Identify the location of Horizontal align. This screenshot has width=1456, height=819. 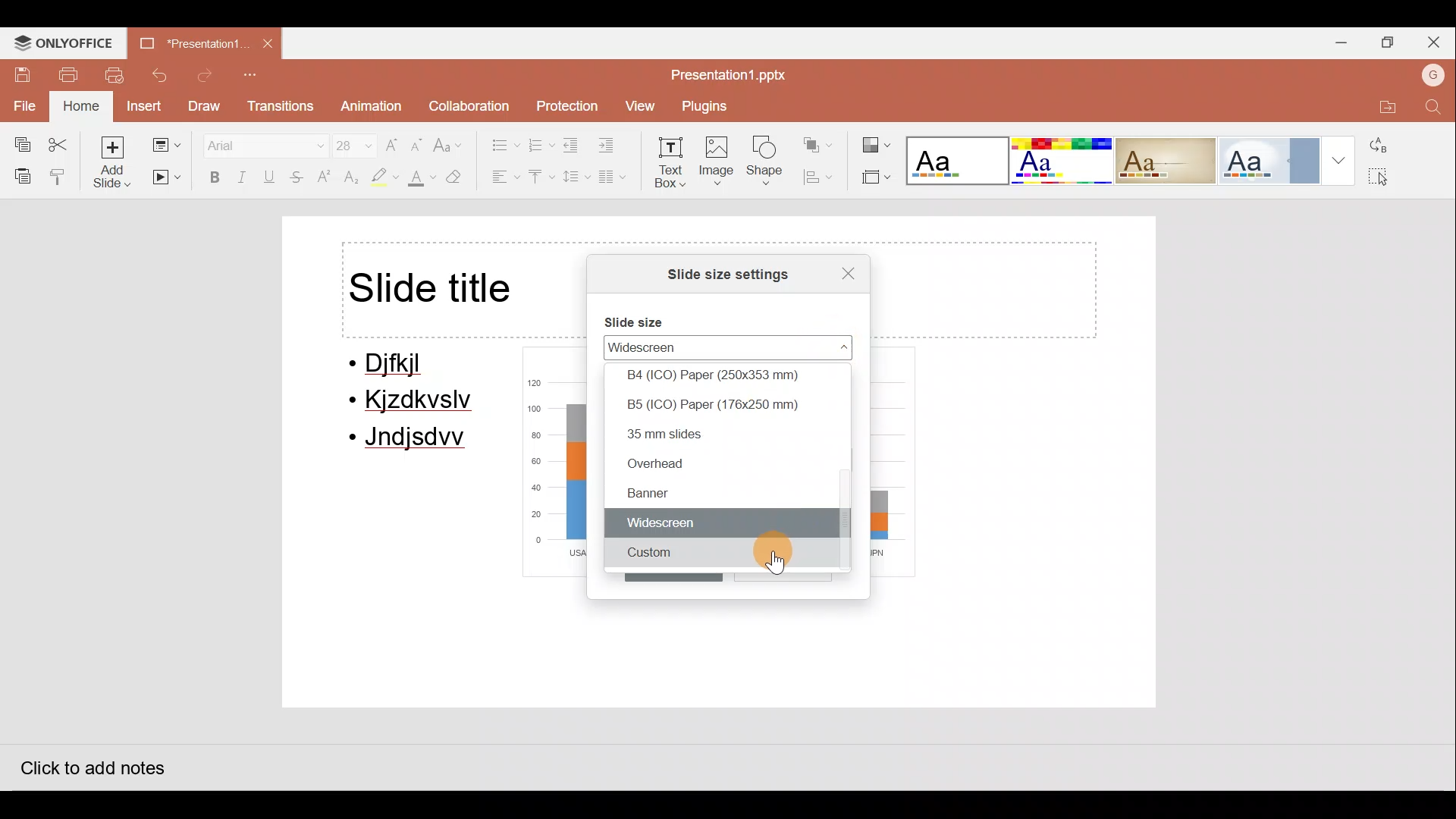
(501, 178).